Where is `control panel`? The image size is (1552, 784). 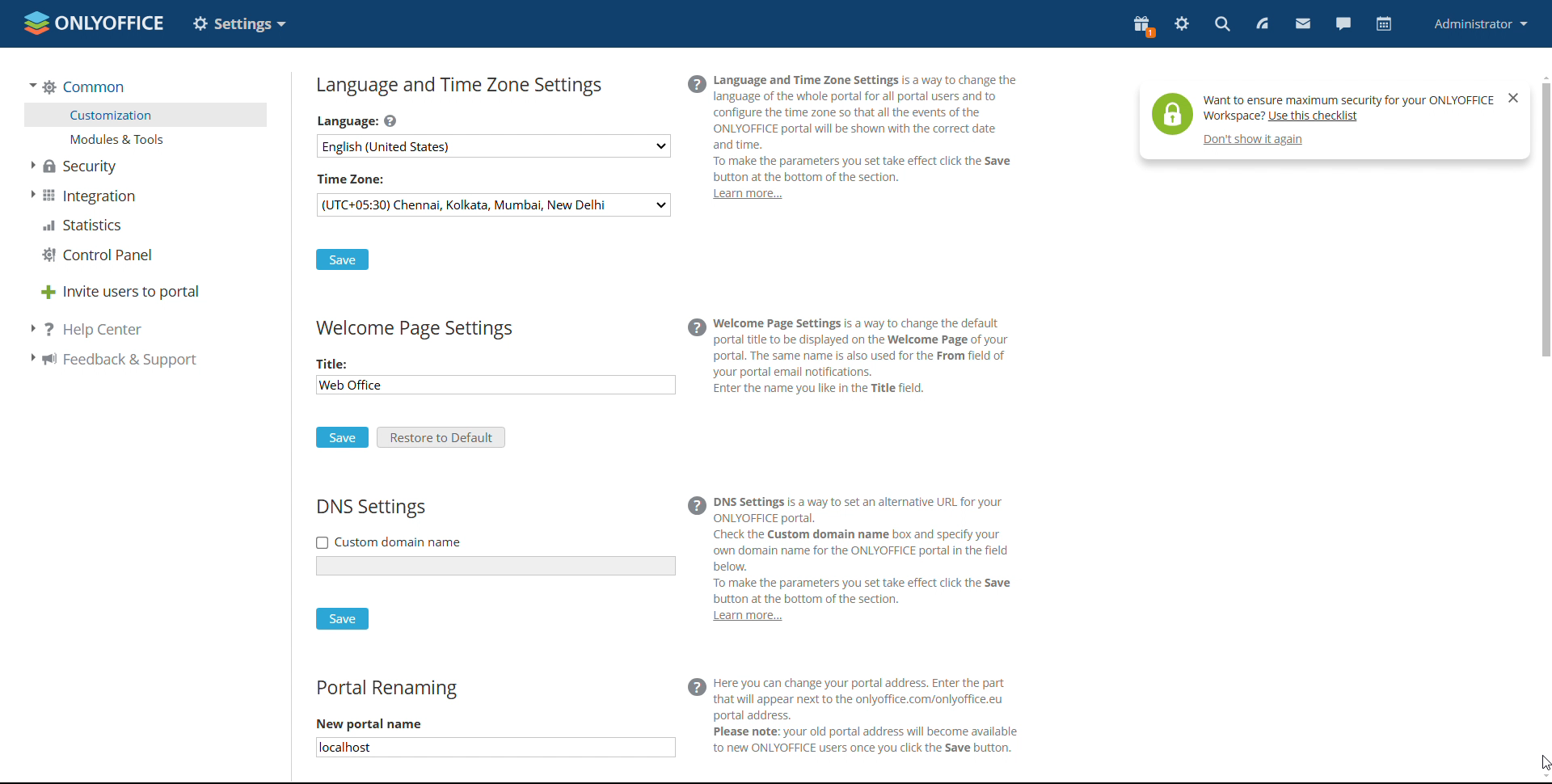 control panel is located at coordinates (97, 256).